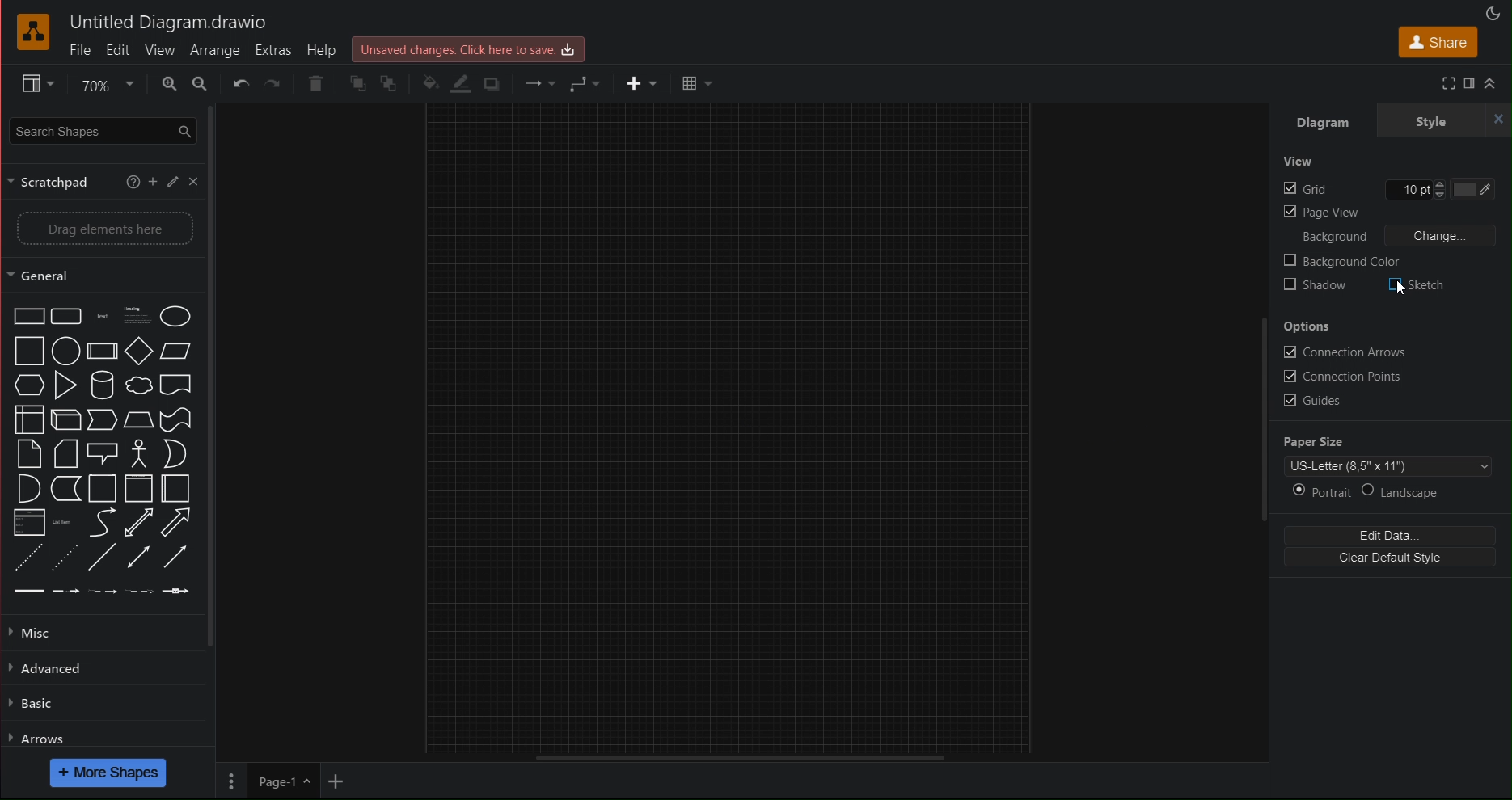 The height and width of the screenshot is (800, 1512). What do you see at coordinates (273, 83) in the screenshot?
I see `Redo` at bounding box center [273, 83].